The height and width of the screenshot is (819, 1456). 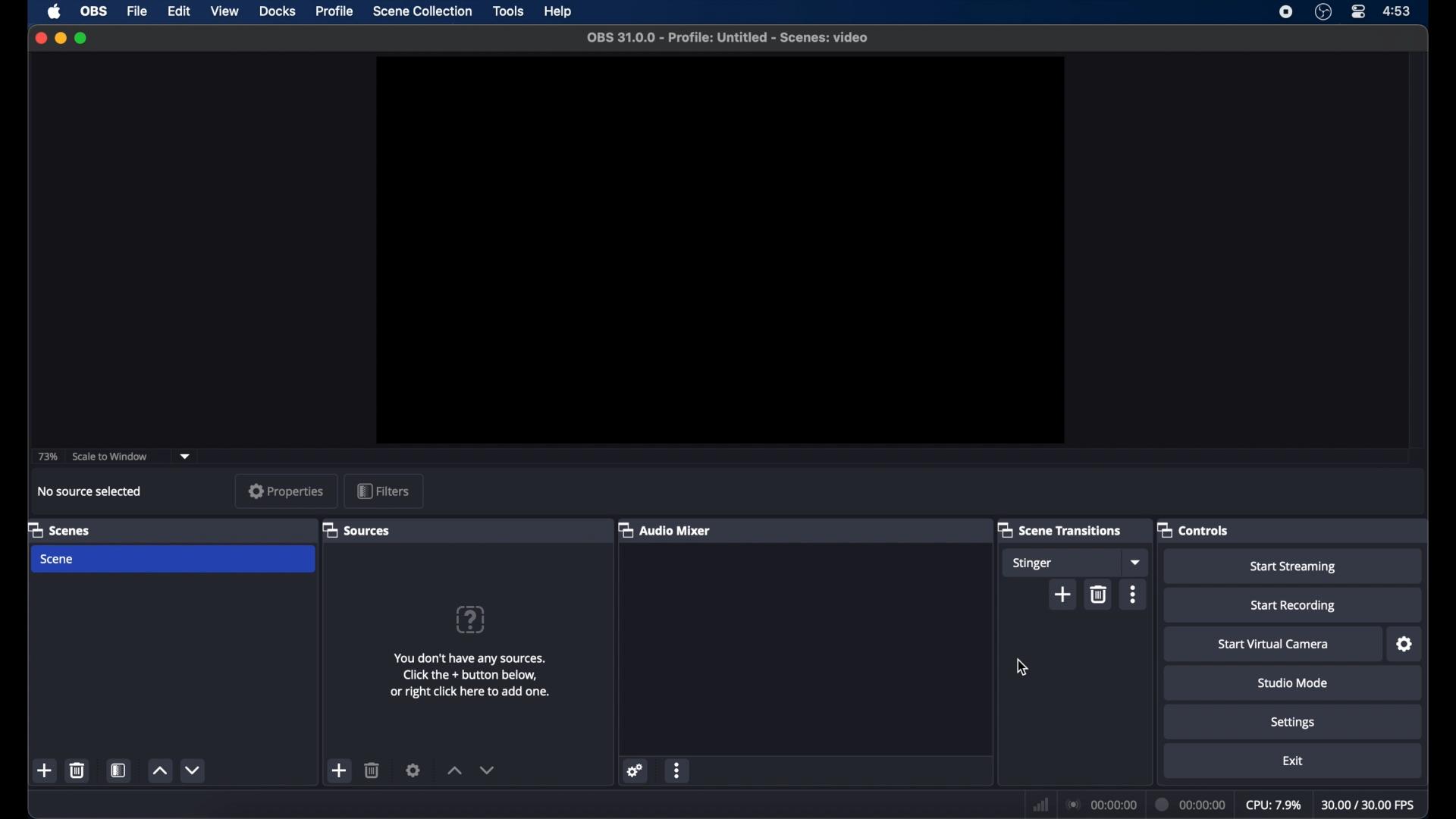 I want to click on controls, so click(x=1193, y=529).